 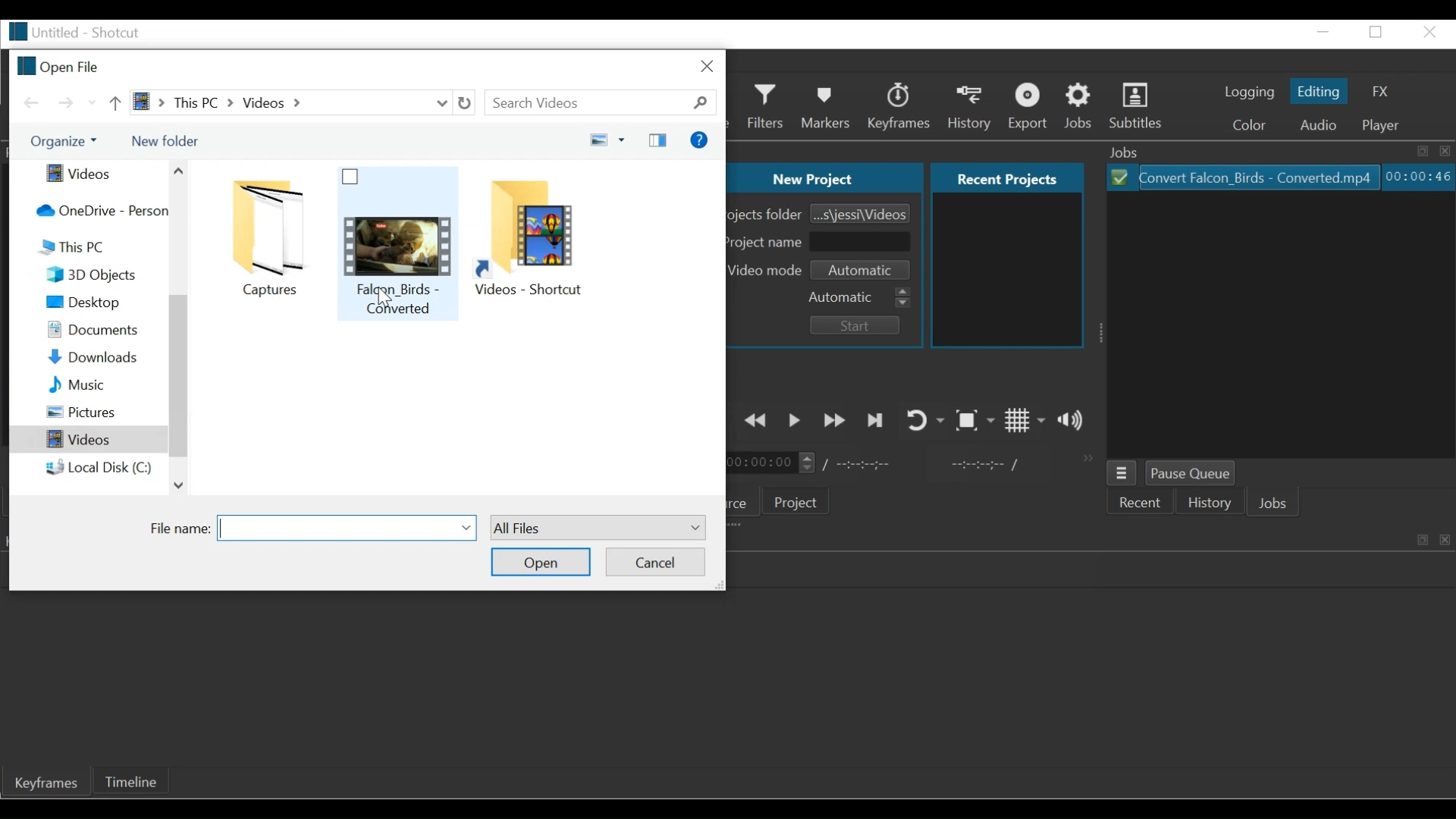 I want to click on Organize, so click(x=66, y=142).